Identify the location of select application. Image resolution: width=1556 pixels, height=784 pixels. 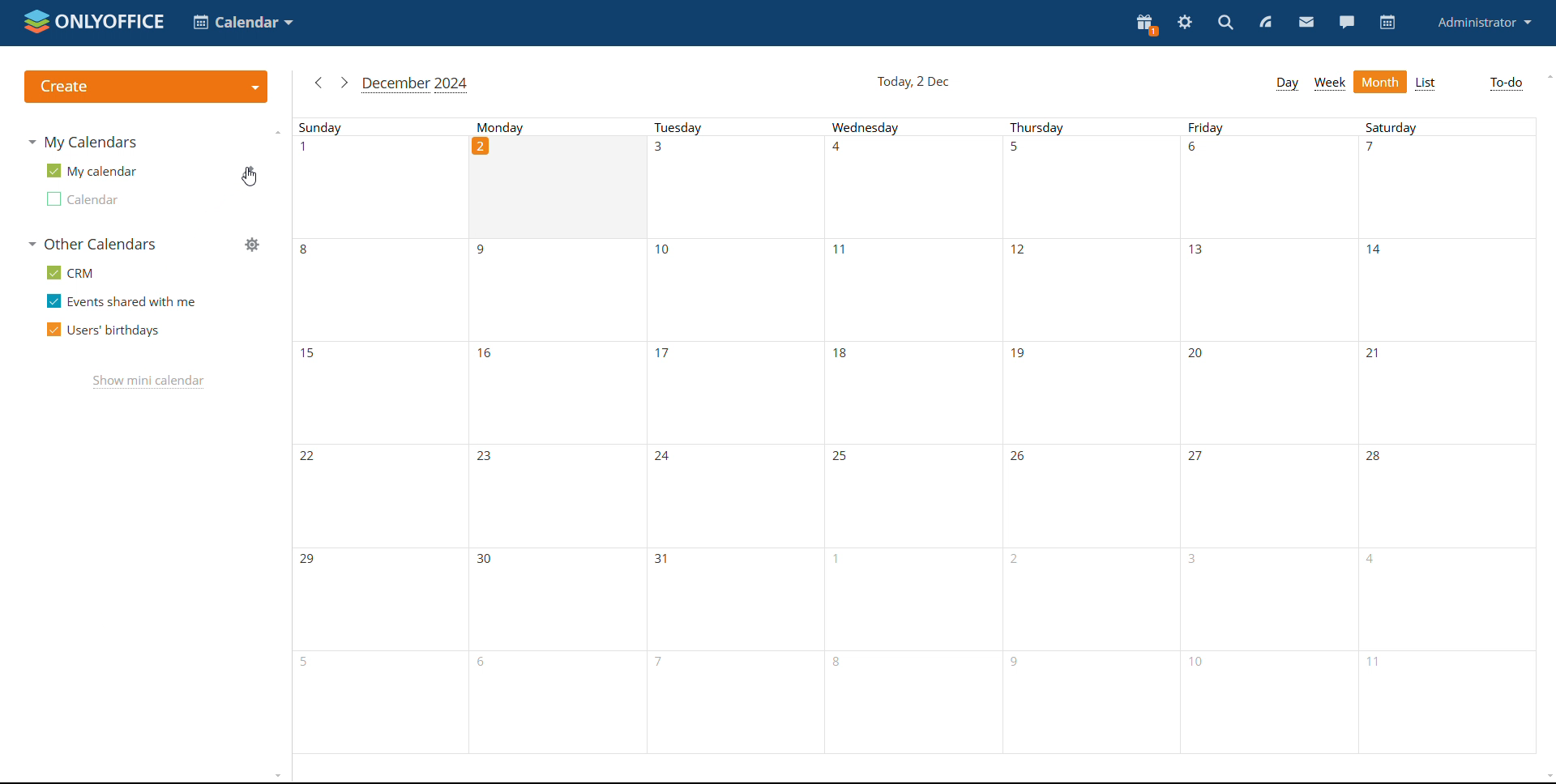
(243, 23).